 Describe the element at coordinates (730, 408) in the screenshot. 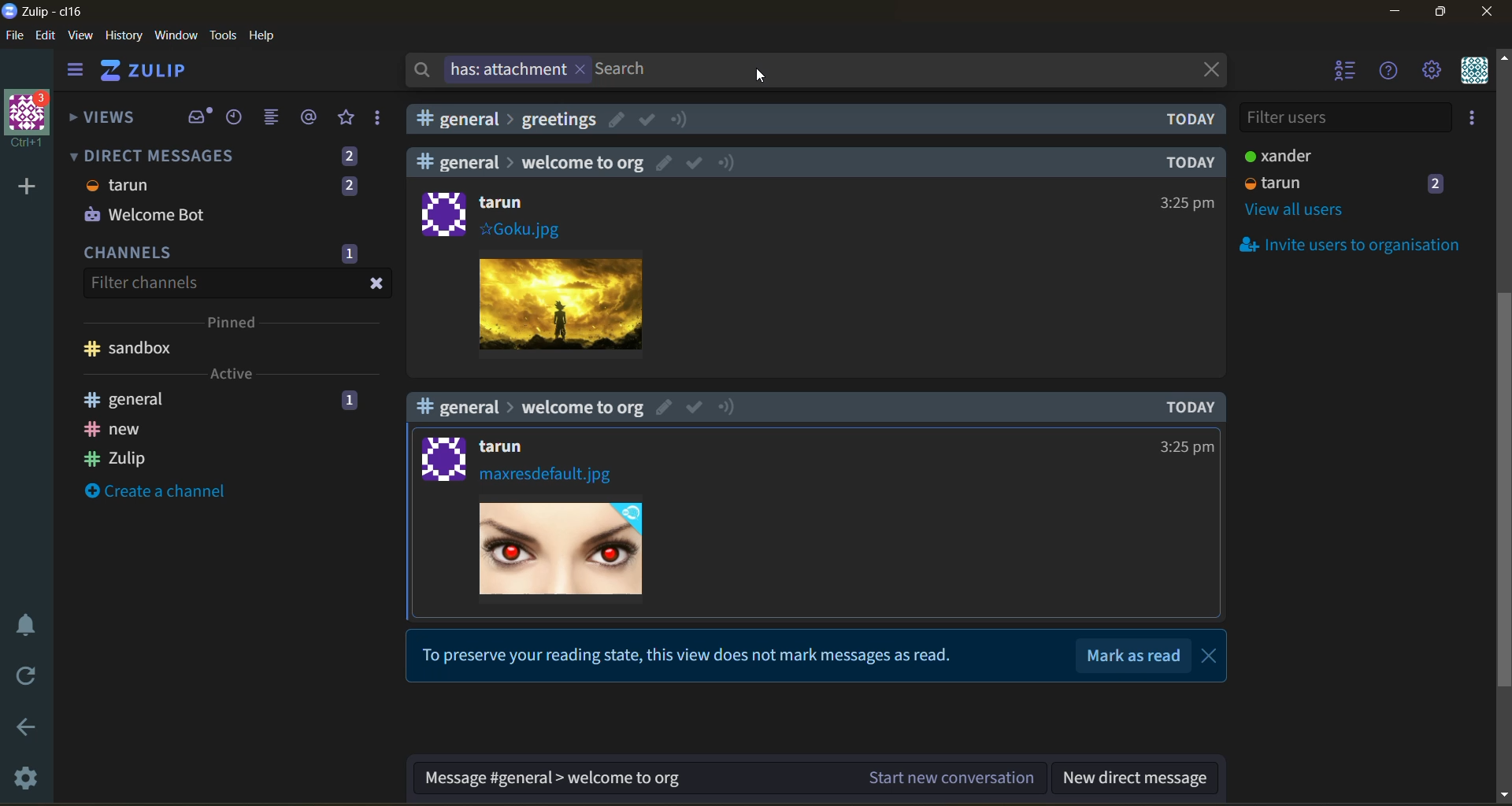

I see `notify` at that location.